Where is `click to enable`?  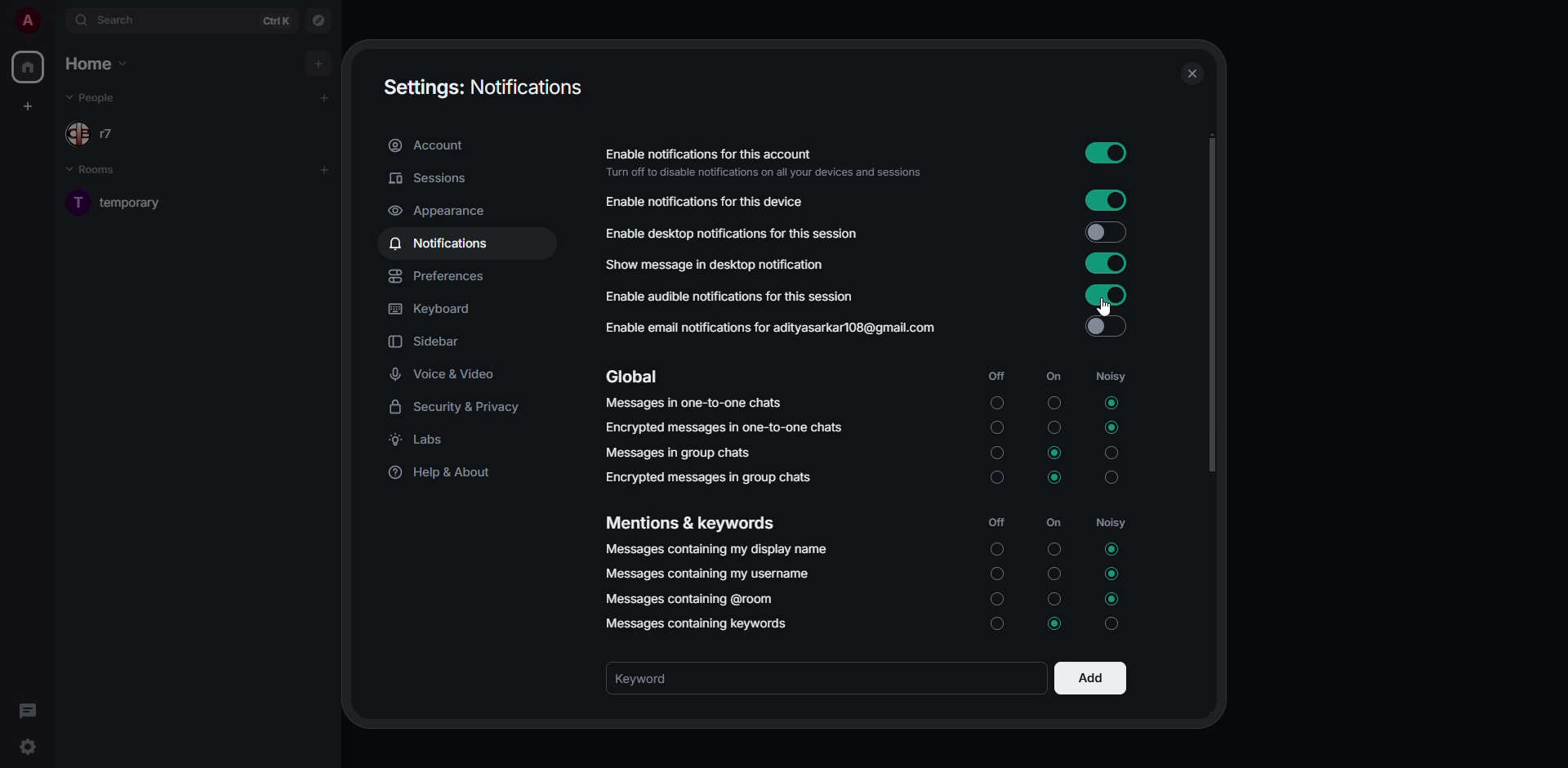
click to enable is located at coordinates (1103, 233).